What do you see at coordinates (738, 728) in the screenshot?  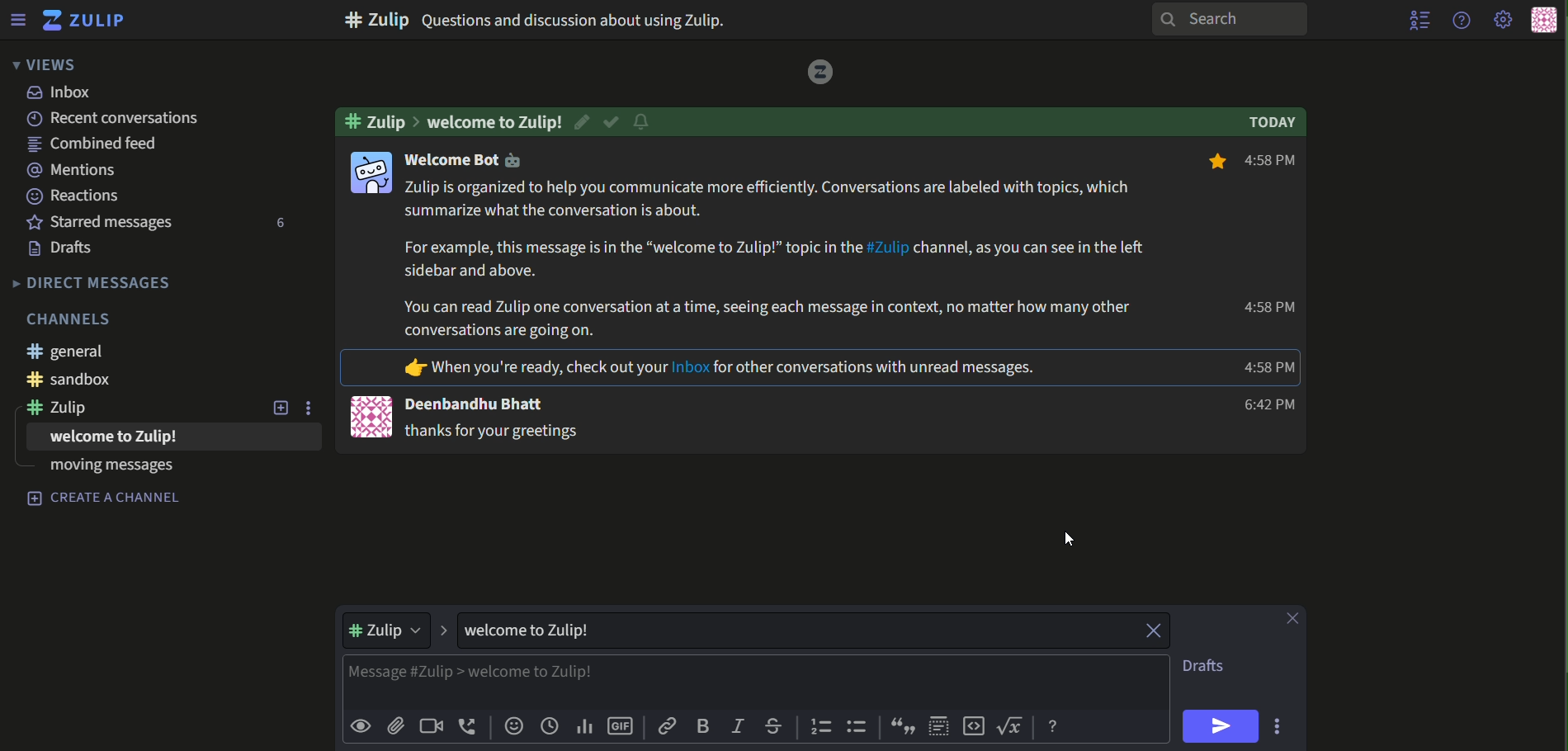 I see `italic` at bounding box center [738, 728].